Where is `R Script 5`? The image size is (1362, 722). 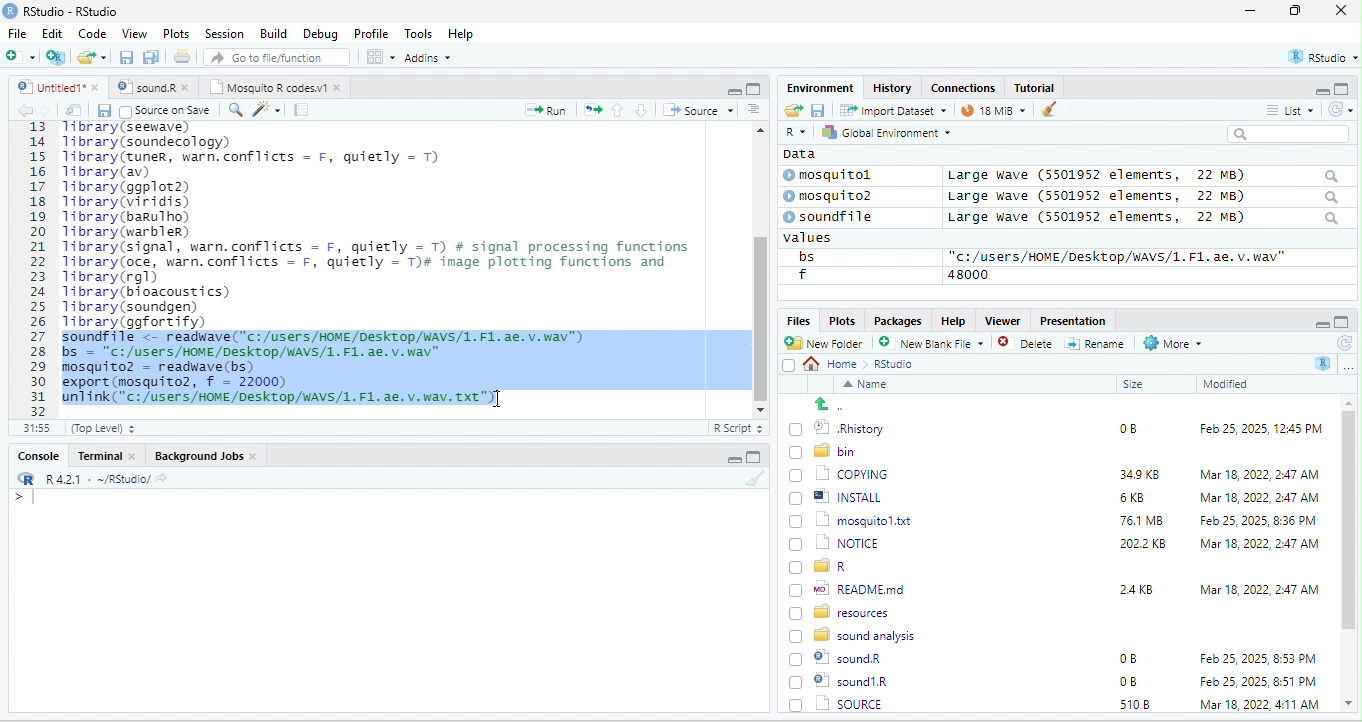
R Script 5 is located at coordinates (739, 428).